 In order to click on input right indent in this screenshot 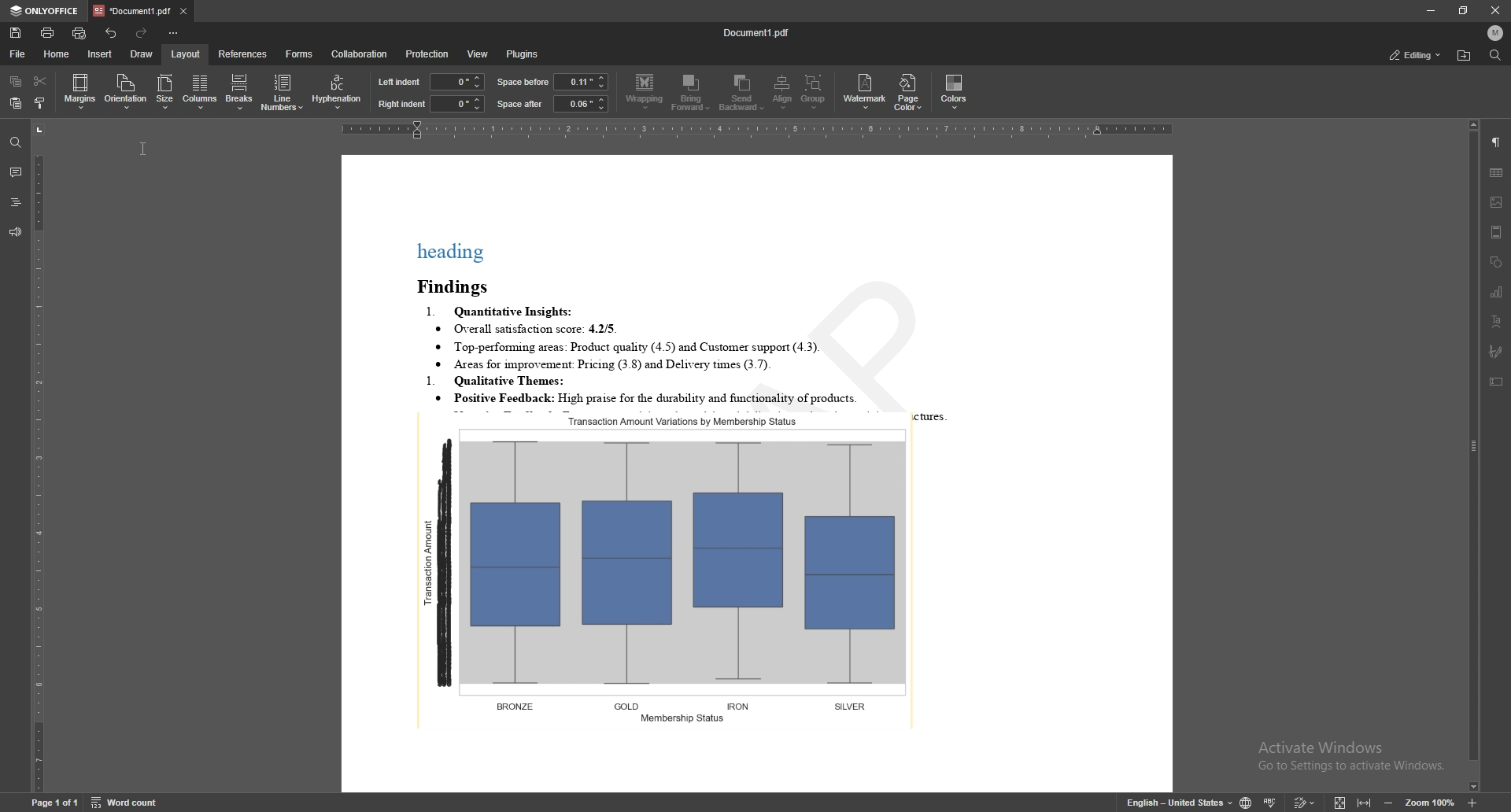, I will do `click(457, 104)`.